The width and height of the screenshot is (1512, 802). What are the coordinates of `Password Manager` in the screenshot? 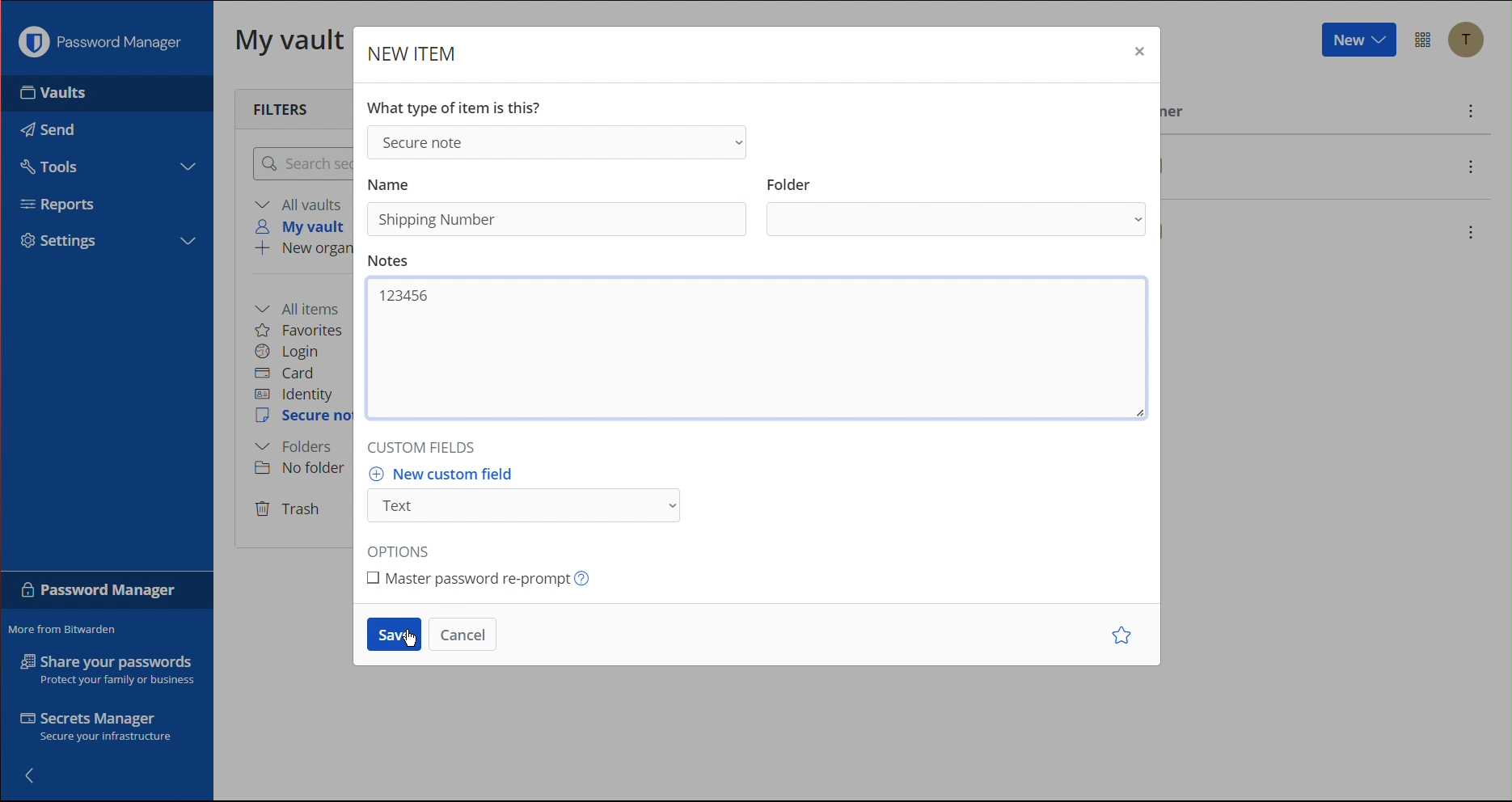 It's located at (99, 46).